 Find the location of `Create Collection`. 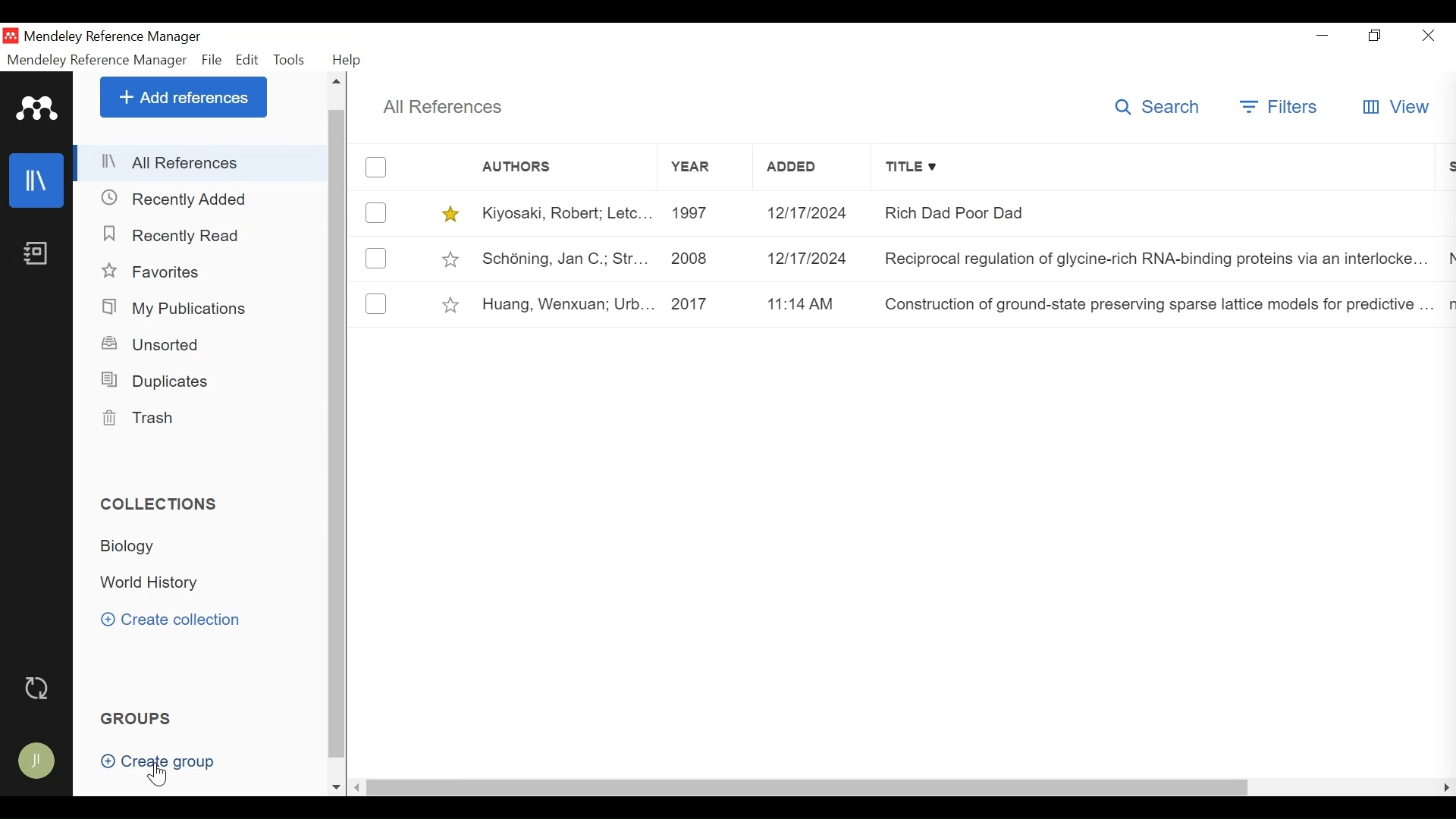

Create Collection is located at coordinates (171, 618).